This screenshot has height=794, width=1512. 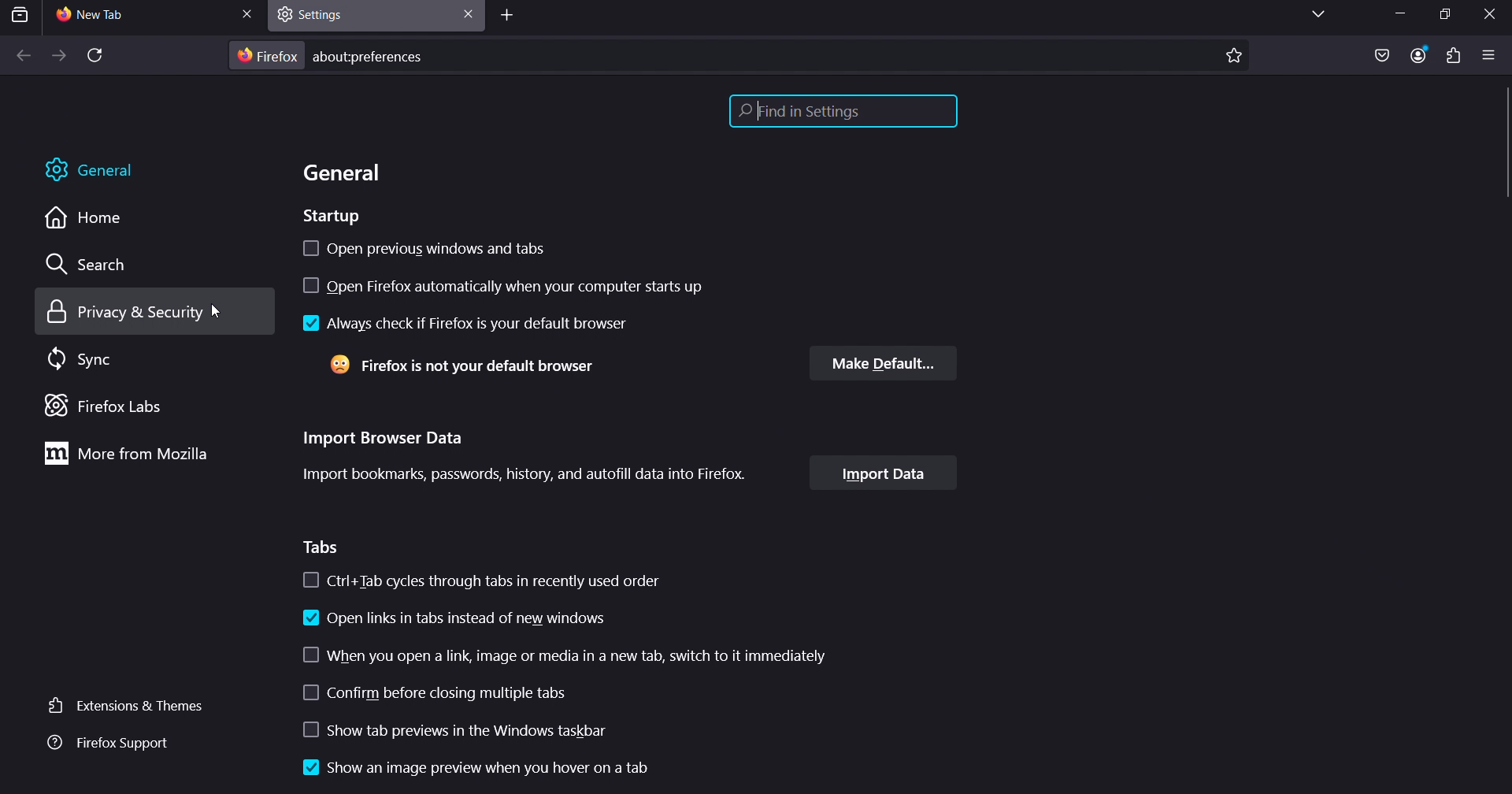 What do you see at coordinates (345, 176) in the screenshot?
I see `general` at bounding box center [345, 176].